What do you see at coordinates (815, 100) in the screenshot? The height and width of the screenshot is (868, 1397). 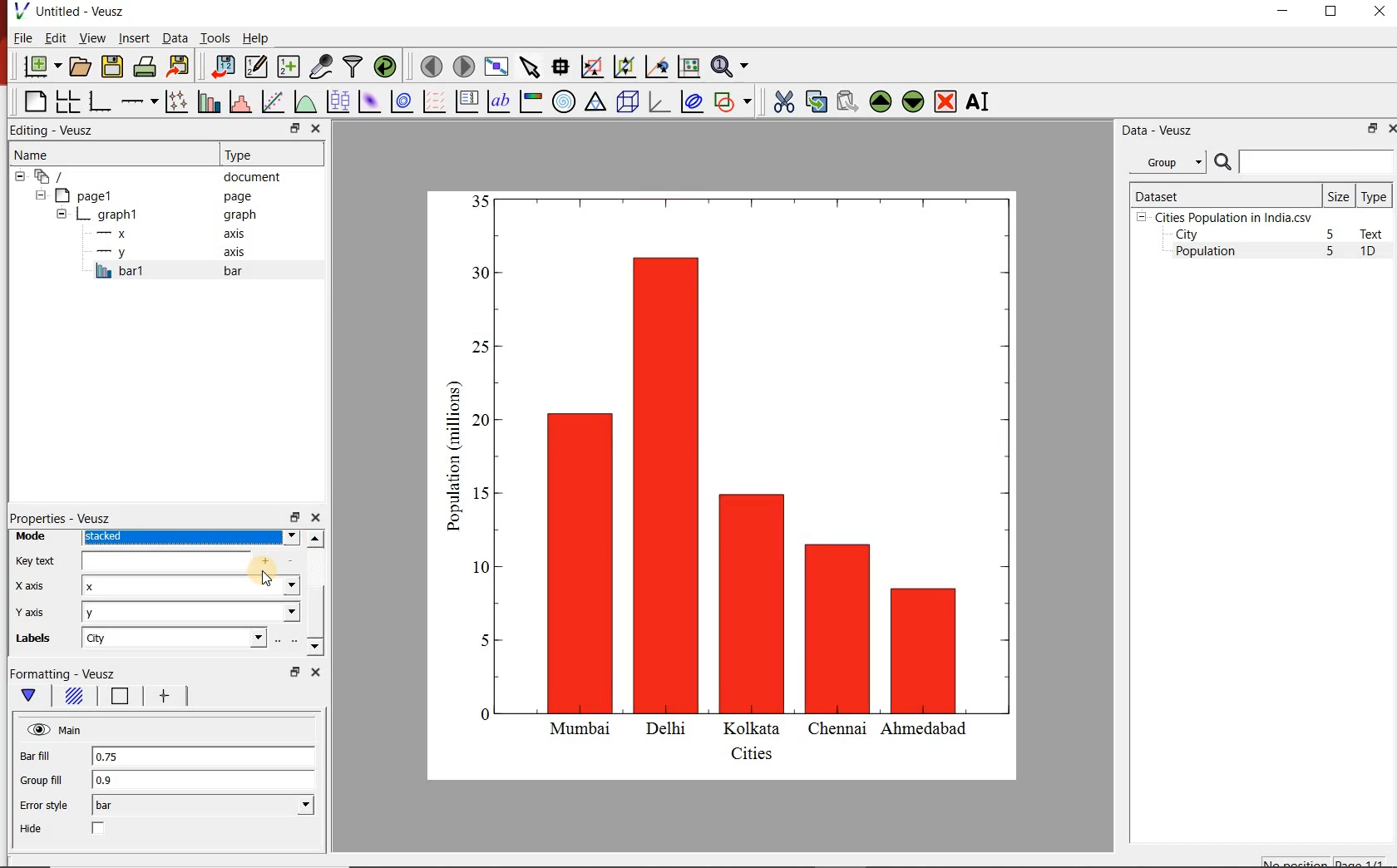 I see `copy the selected widget` at bounding box center [815, 100].